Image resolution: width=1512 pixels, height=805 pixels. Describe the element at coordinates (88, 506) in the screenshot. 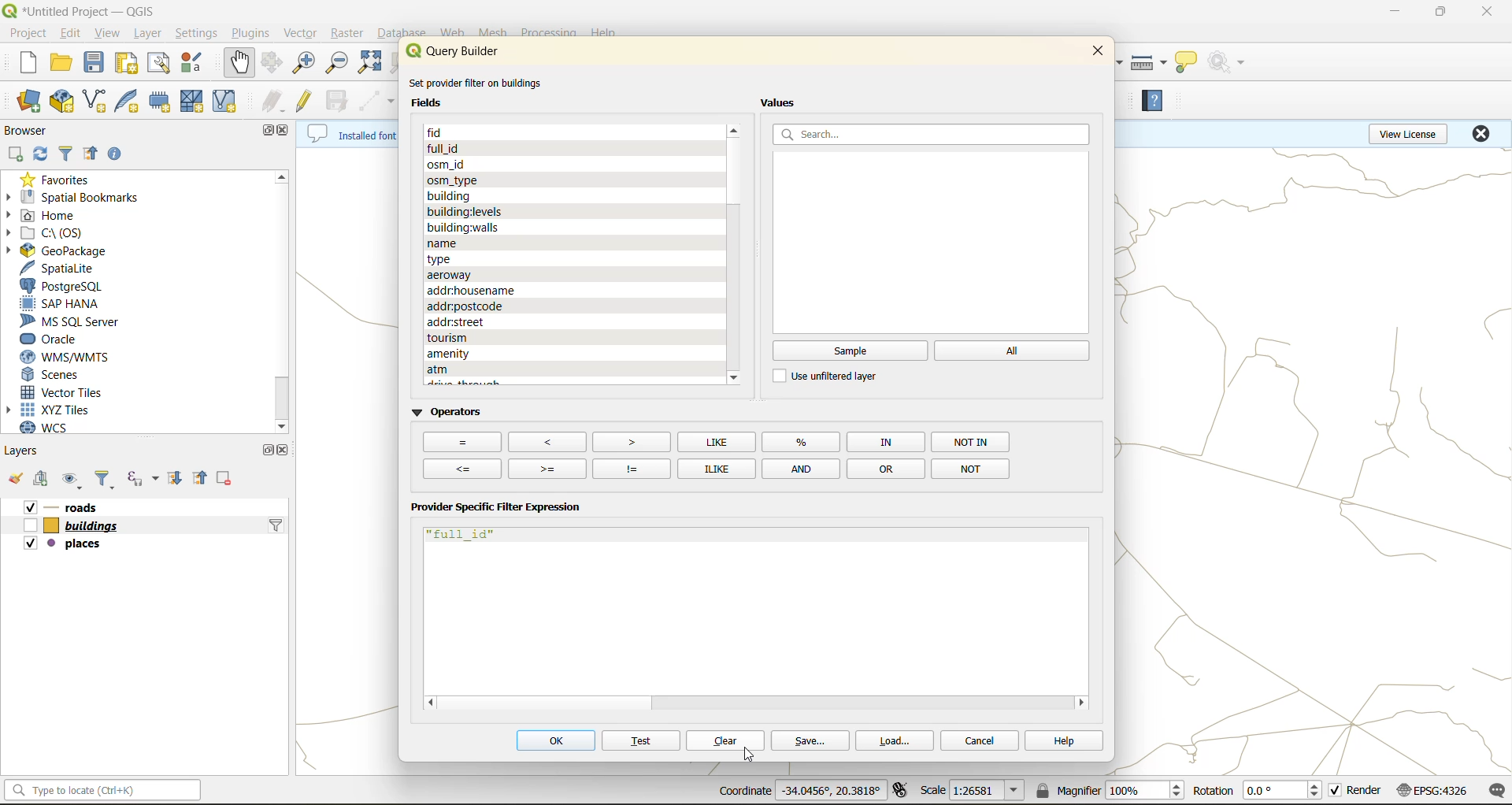

I see `layers` at that location.